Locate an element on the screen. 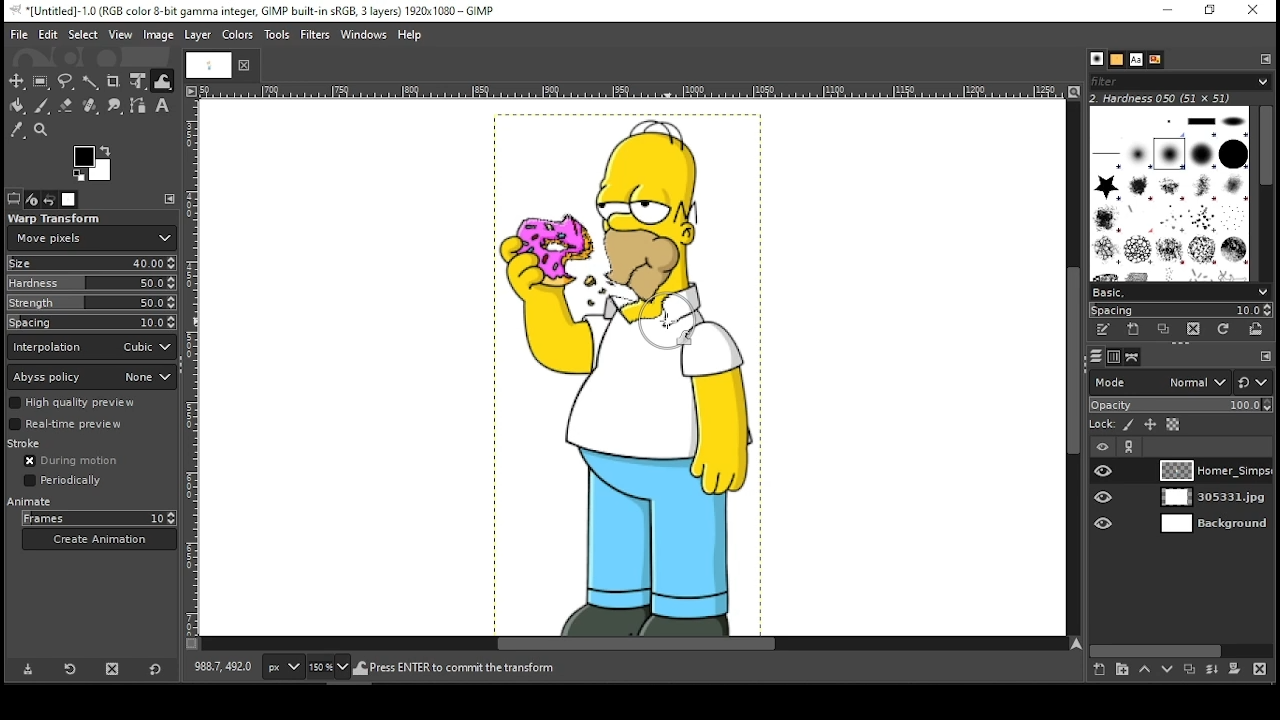  scroll bar is located at coordinates (1076, 369).